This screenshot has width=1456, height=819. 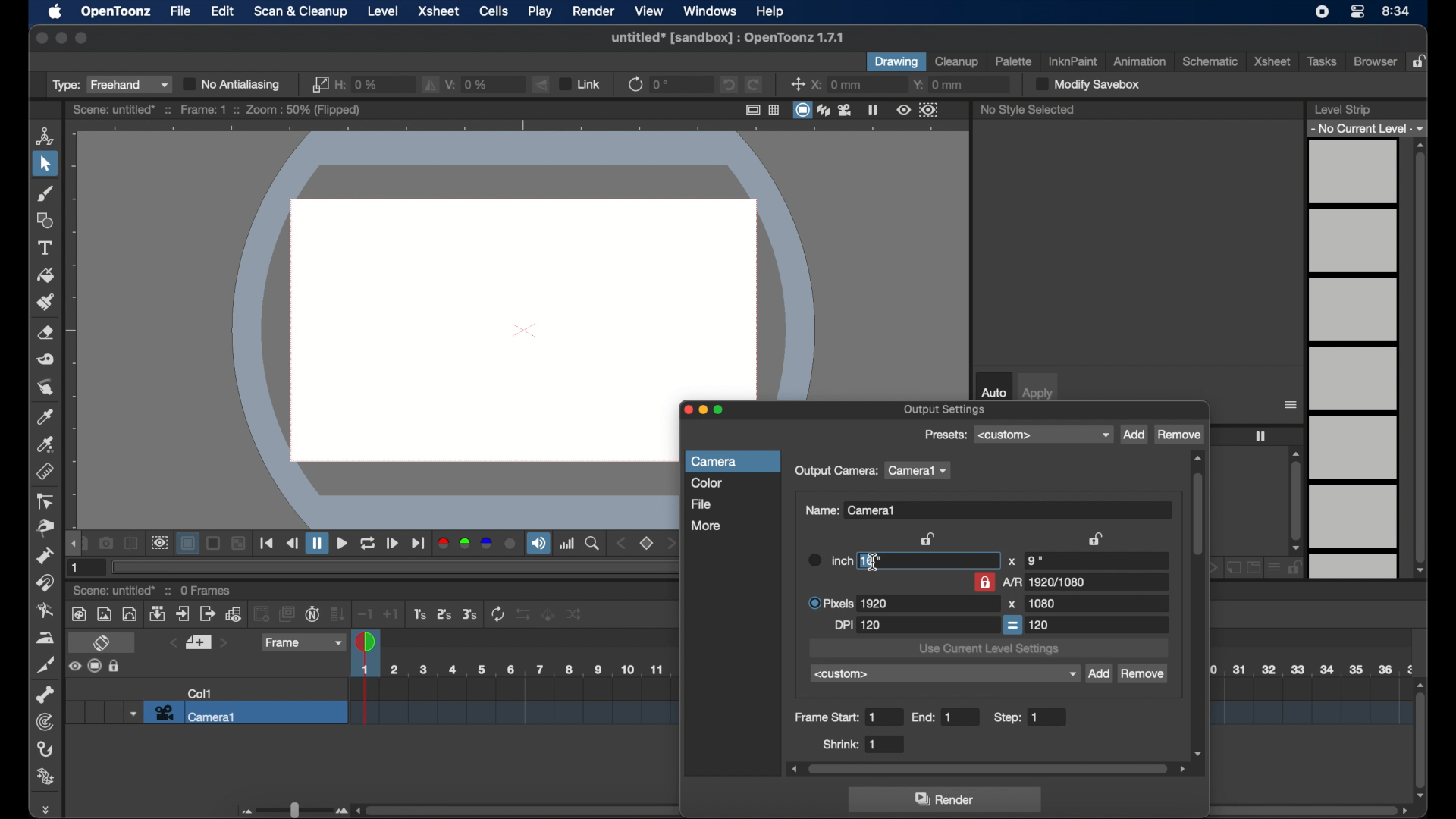 I want to click on frame, so click(x=301, y=642).